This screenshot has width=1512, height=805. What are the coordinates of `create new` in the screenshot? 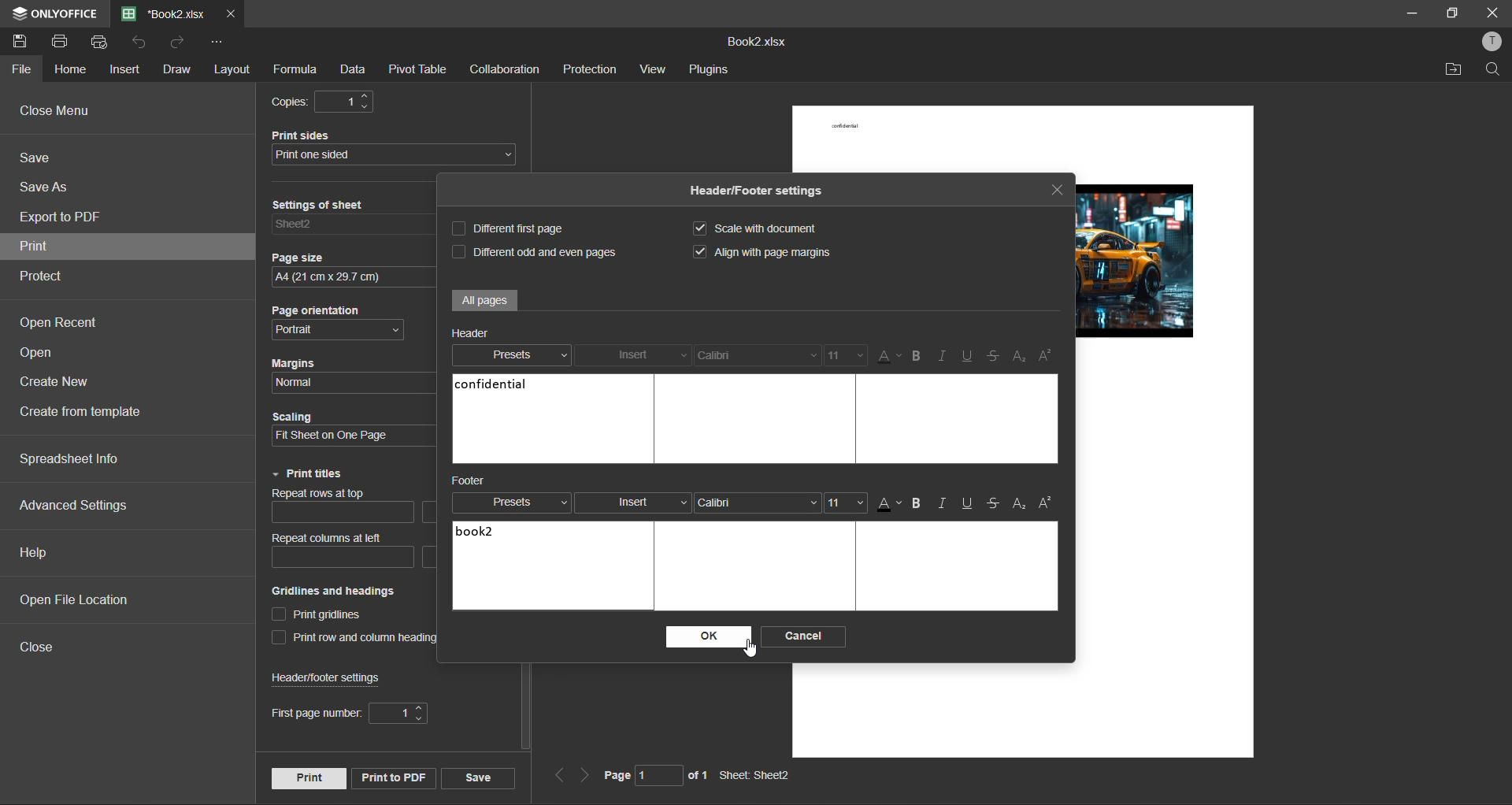 It's located at (61, 382).